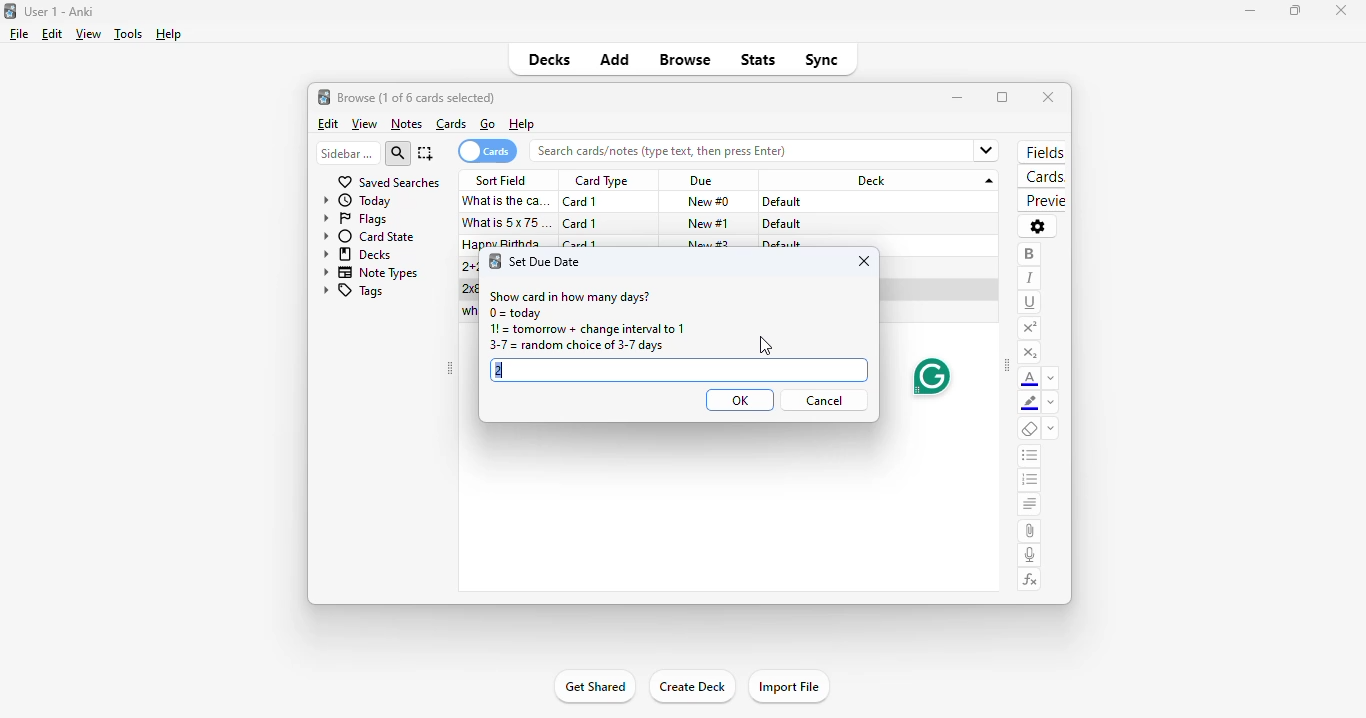 The height and width of the screenshot is (718, 1366). Describe the element at coordinates (1029, 353) in the screenshot. I see `subscript` at that location.